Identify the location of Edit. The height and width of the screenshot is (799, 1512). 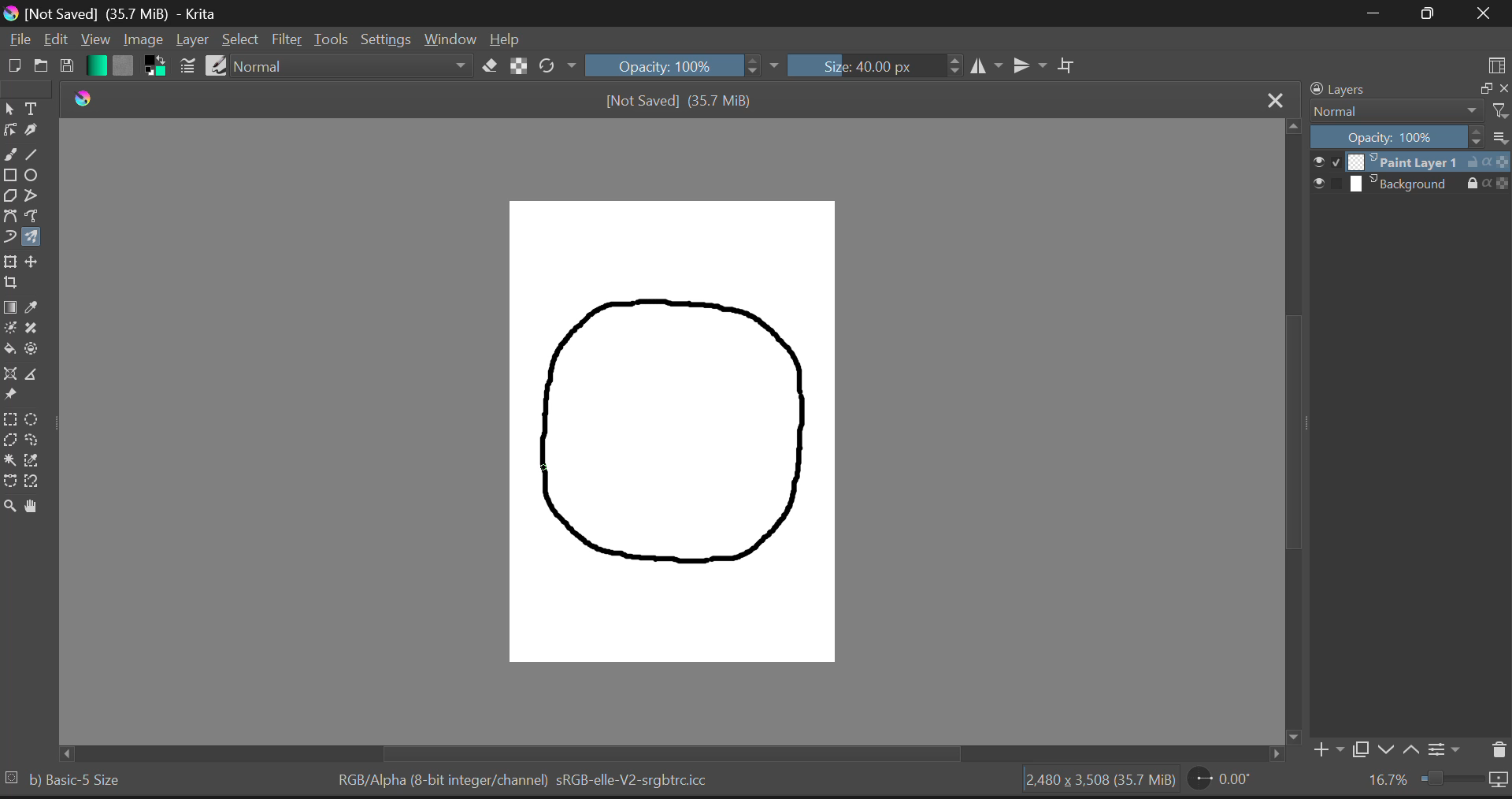
(55, 40).